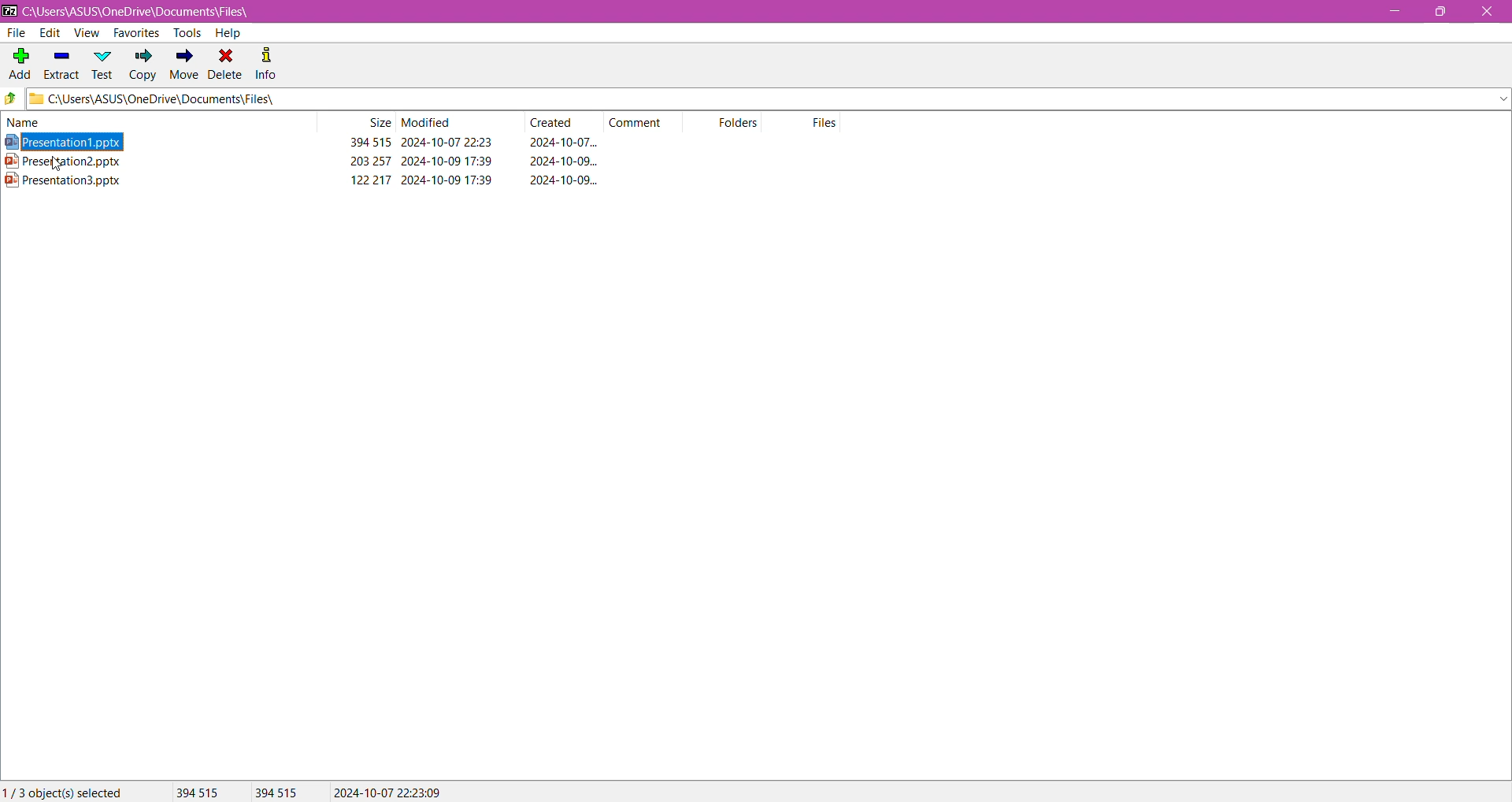  Describe the element at coordinates (11, 100) in the screenshot. I see `Move back one step` at that location.